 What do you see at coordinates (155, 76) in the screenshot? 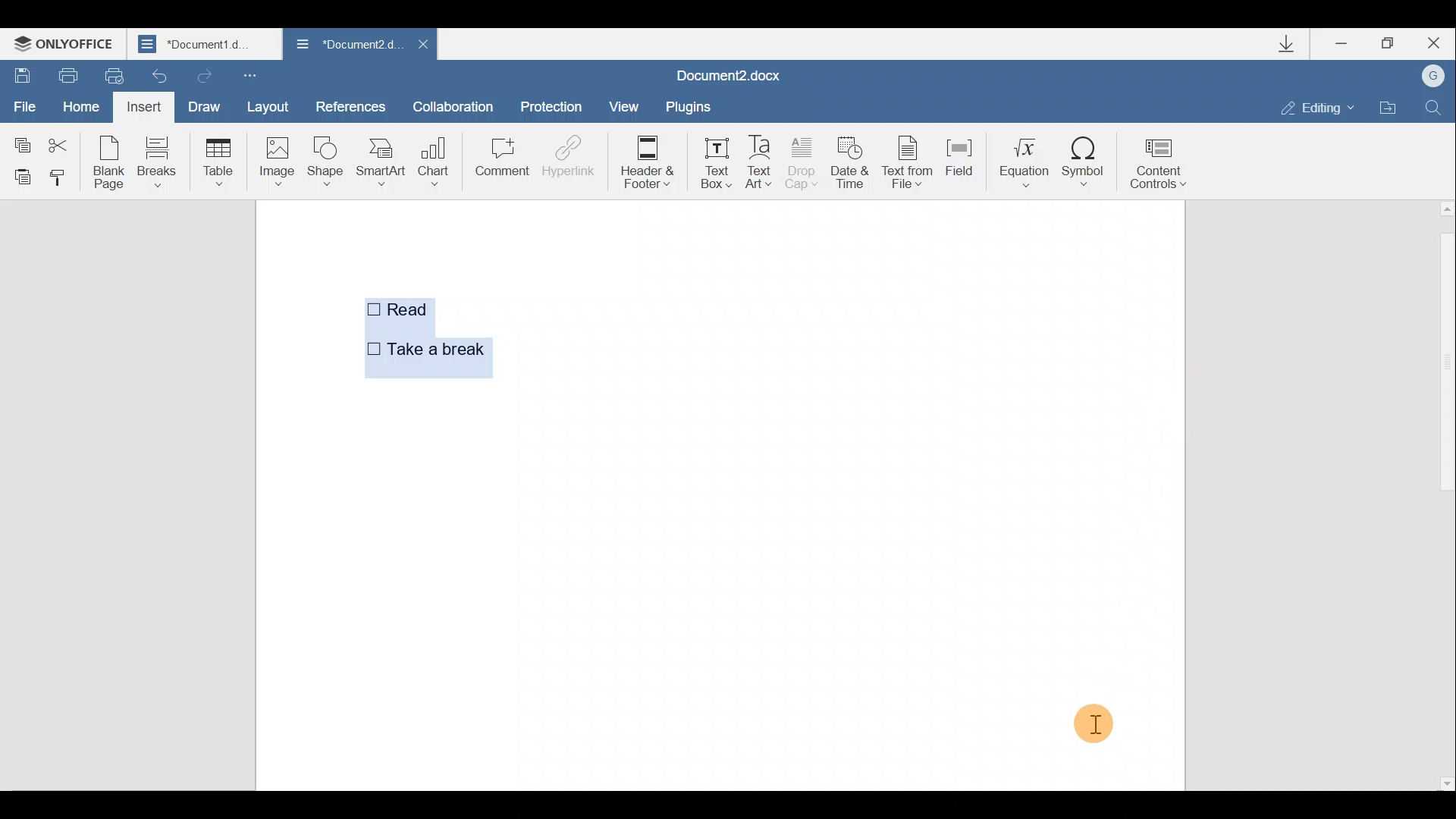
I see `Undo` at bounding box center [155, 76].